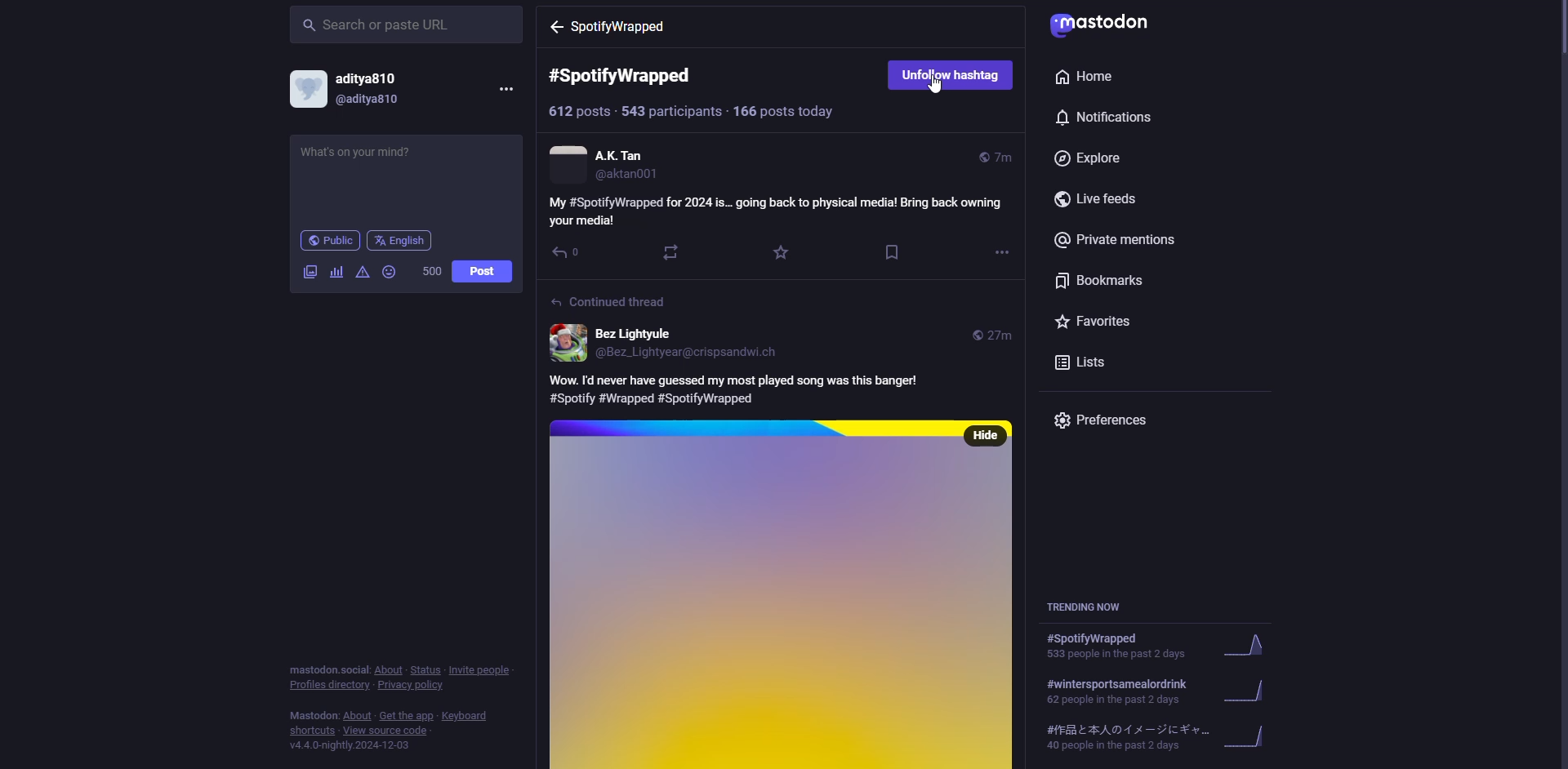 Image resolution: width=1568 pixels, height=769 pixels. What do you see at coordinates (1156, 647) in the screenshot?
I see `trending ` at bounding box center [1156, 647].